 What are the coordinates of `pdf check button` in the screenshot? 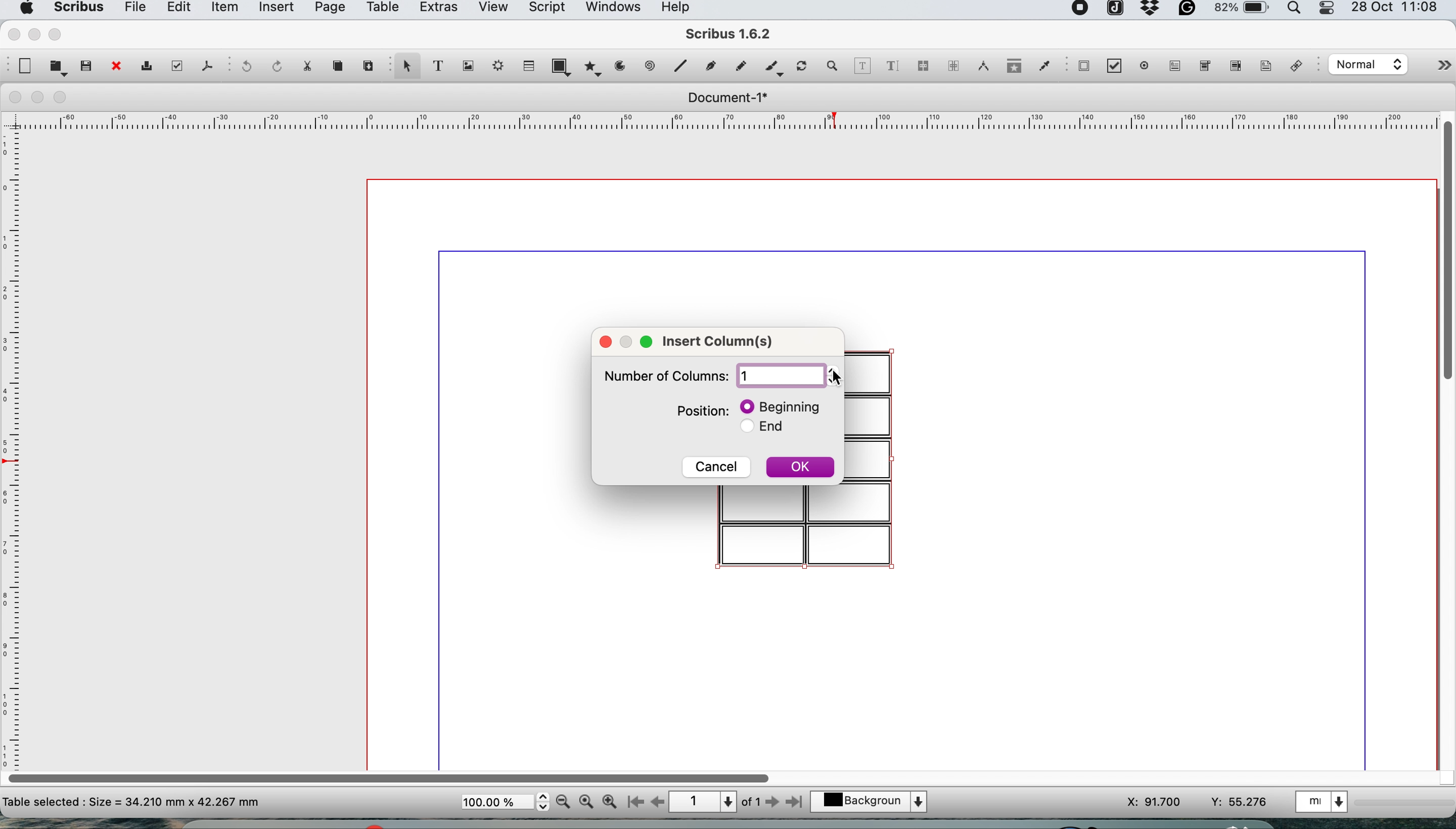 It's located at (1084, 65).